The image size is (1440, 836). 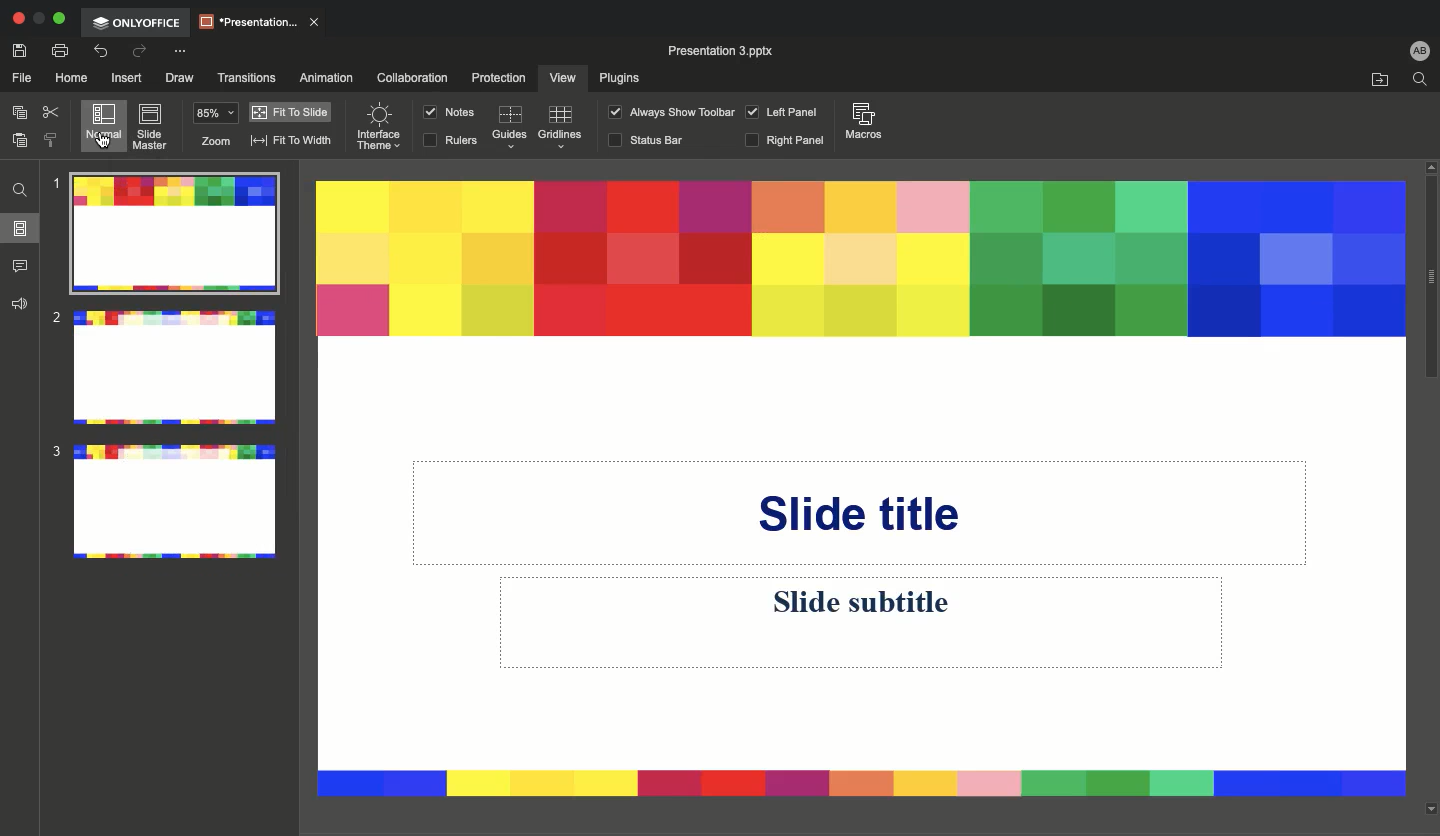 What do you see at coordinates (252, 77) in the screenshot?
I see `Transitions` at bounding box center [252, 77].